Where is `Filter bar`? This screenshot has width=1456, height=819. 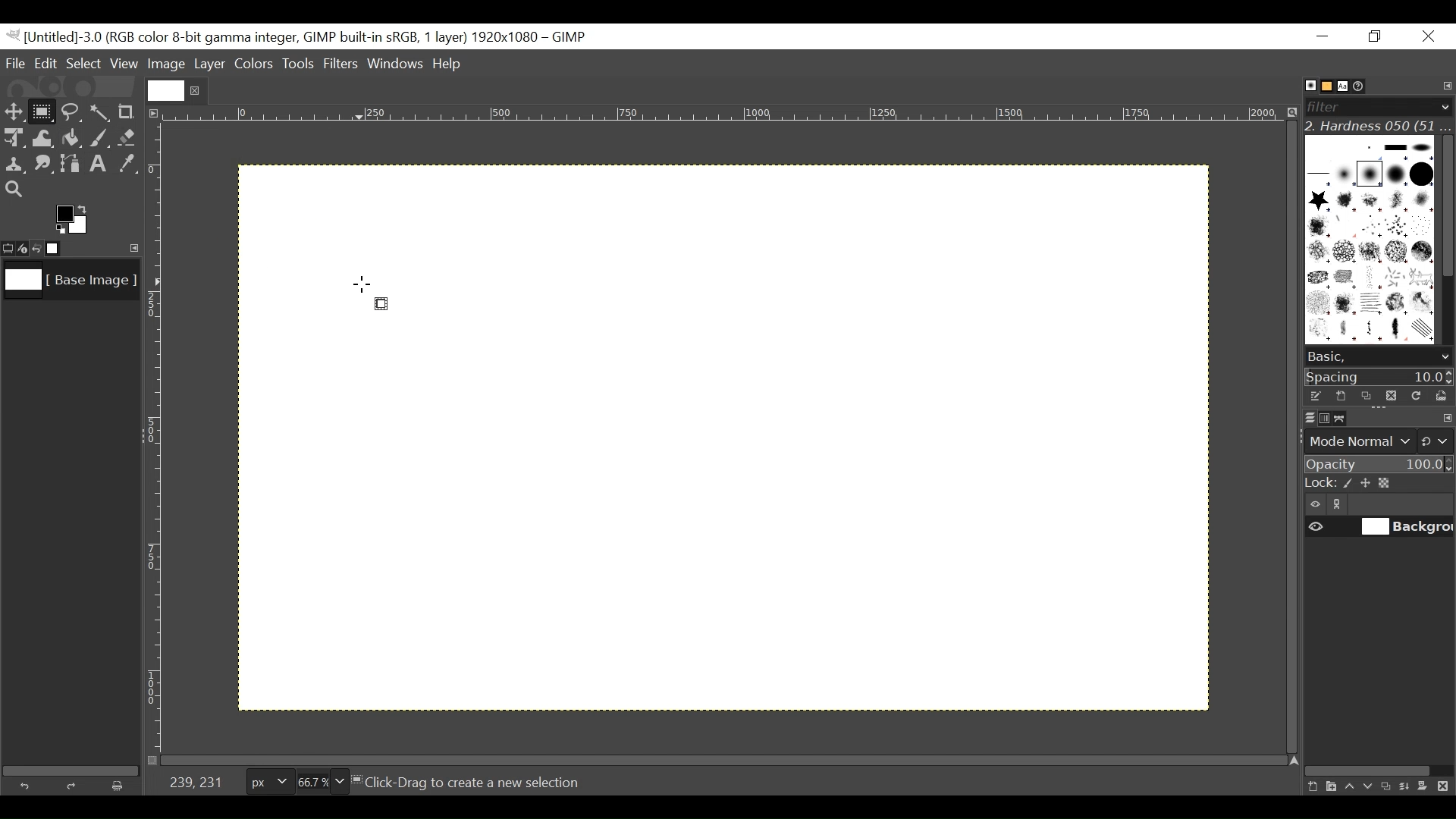 Filter bar is located at coordinates (1377, 105).